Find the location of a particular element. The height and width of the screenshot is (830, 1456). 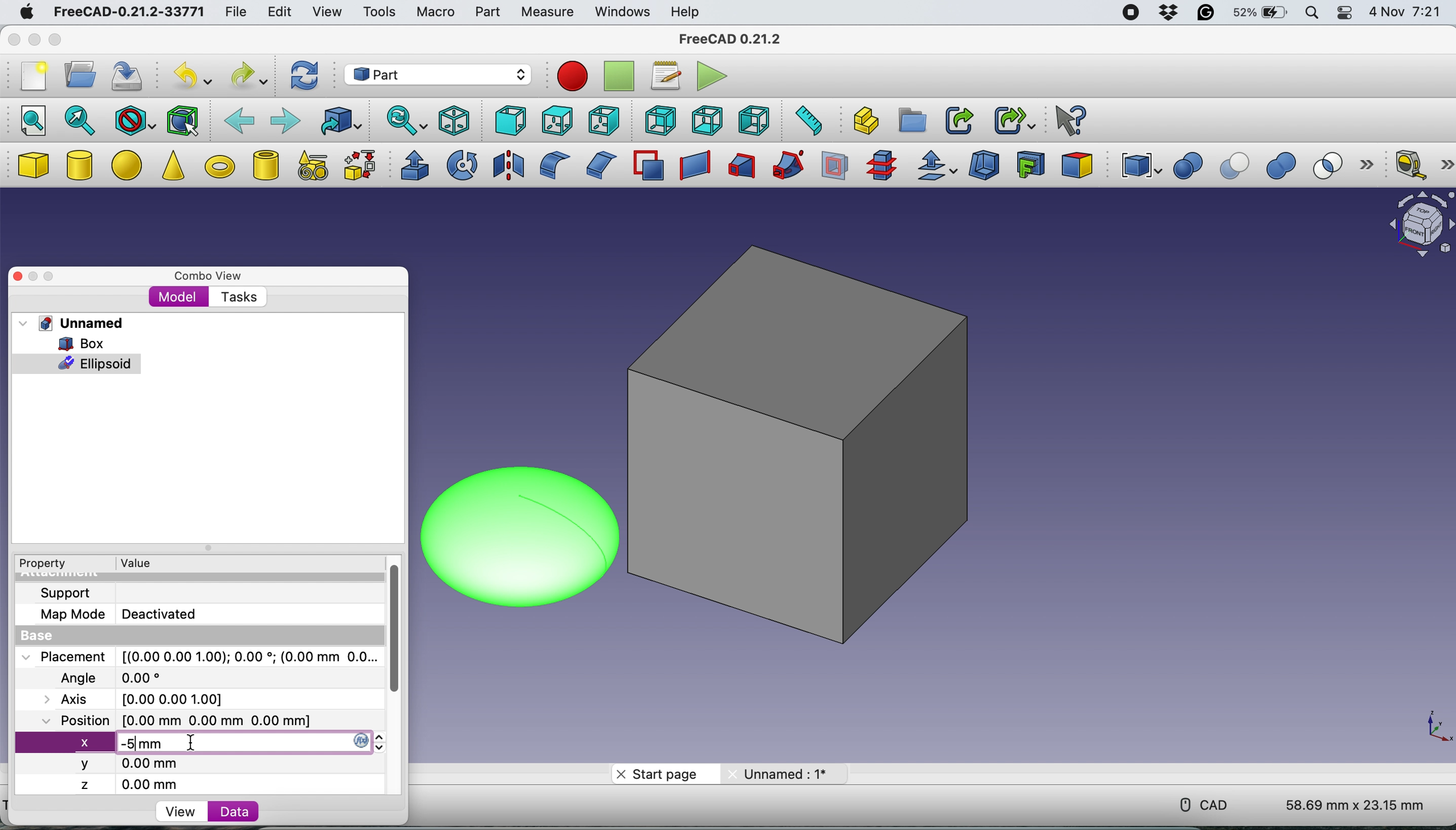

maximise is located at coordinates (60, 274).